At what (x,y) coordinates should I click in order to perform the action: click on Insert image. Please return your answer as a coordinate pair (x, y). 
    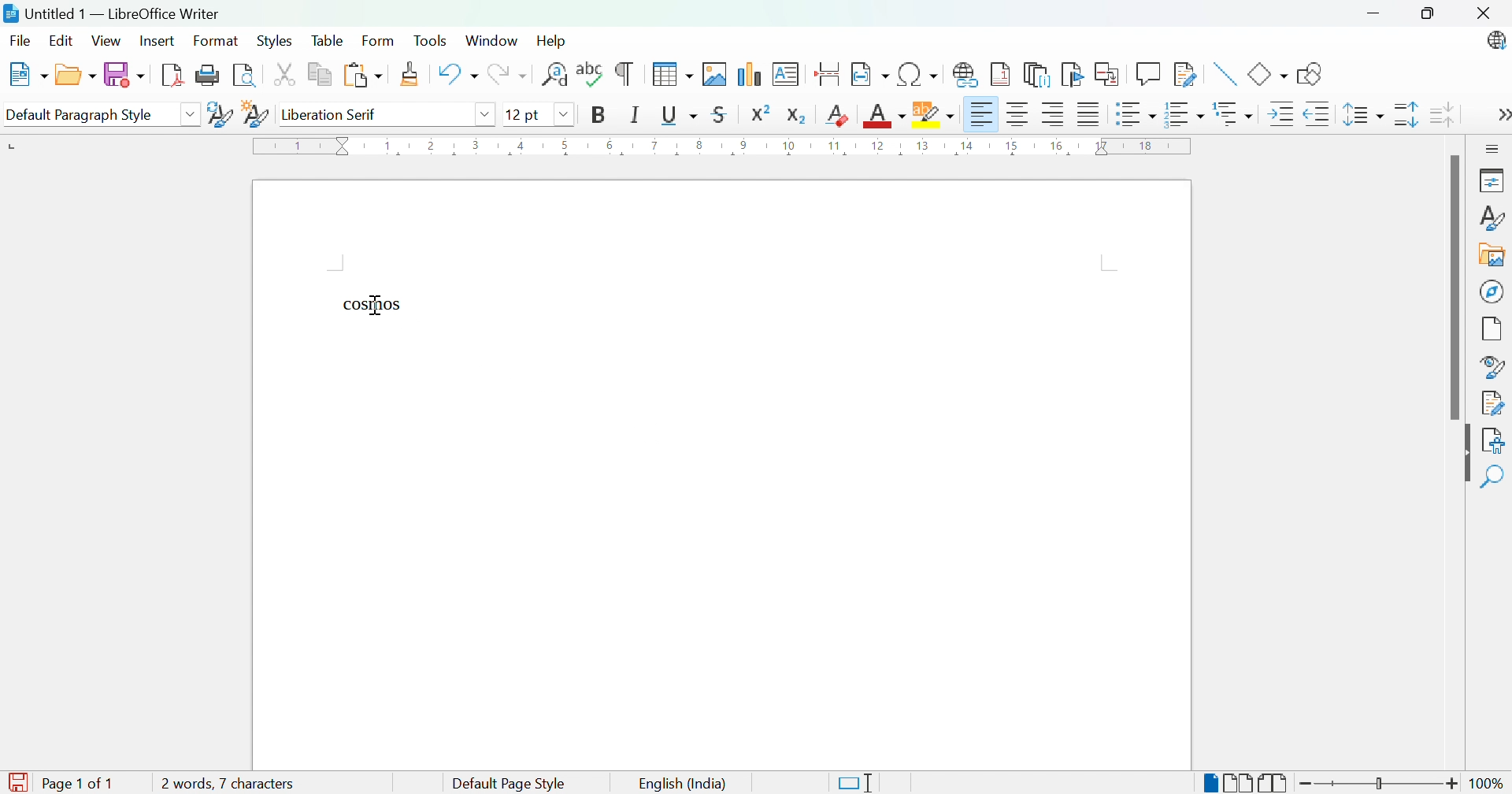
    Looking at the image, I should click on (714, 74).